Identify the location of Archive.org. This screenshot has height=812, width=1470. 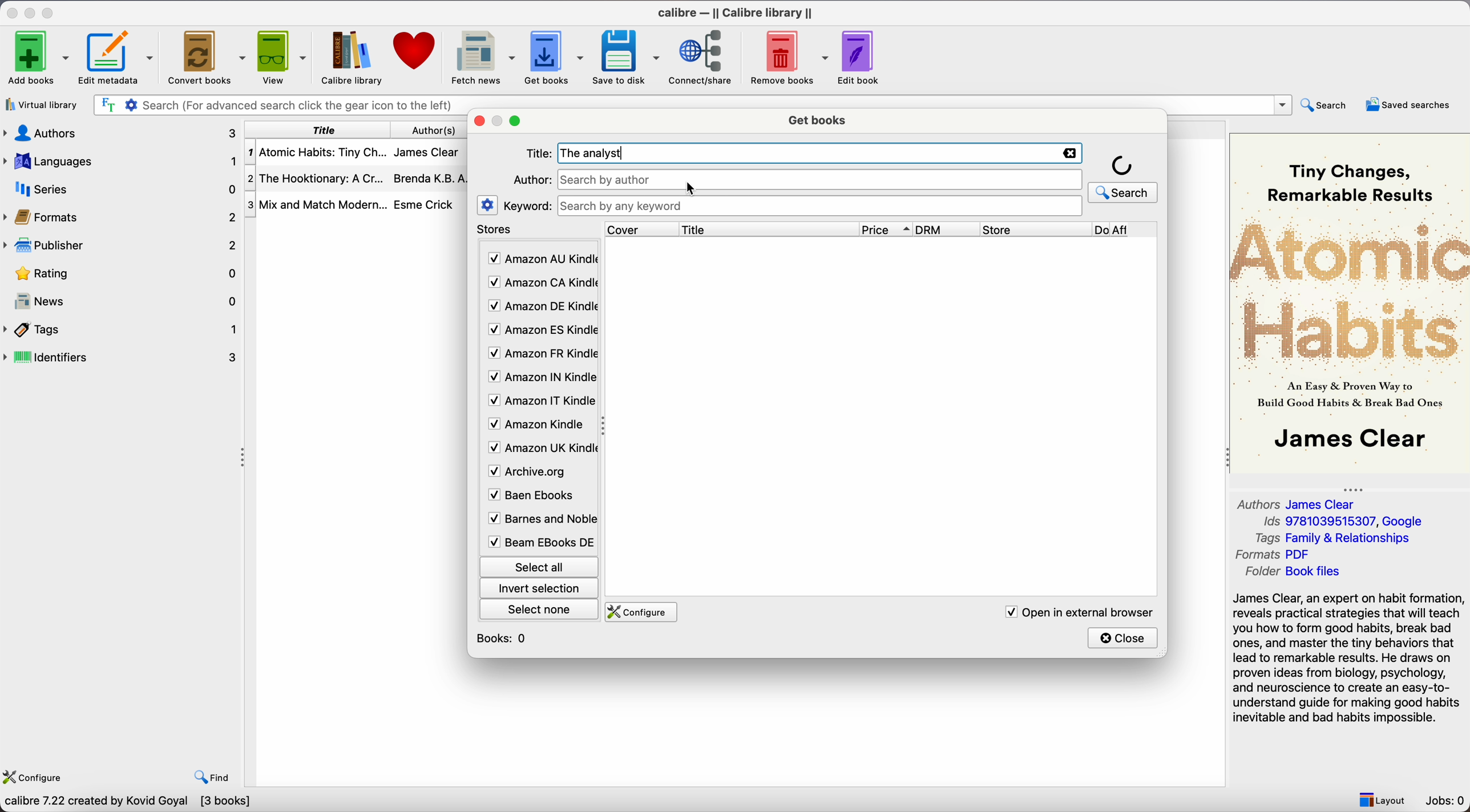
(538, 472).